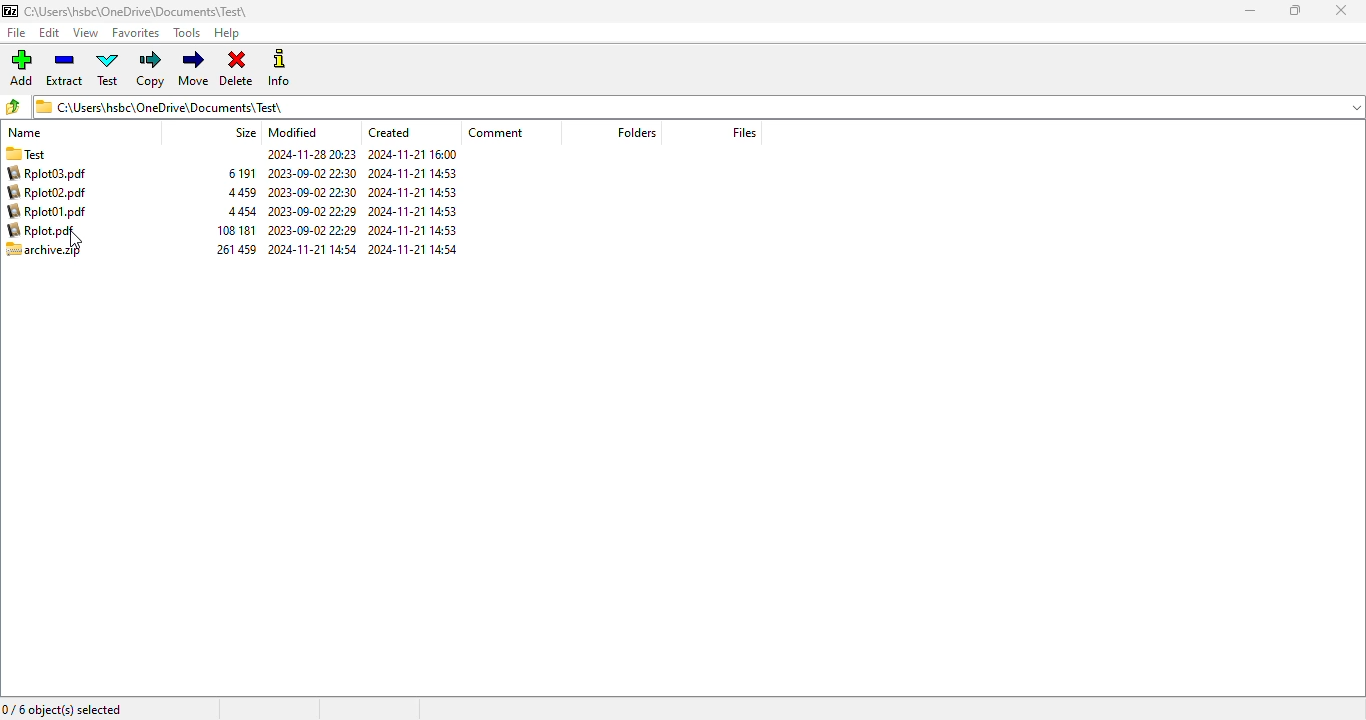 This screenshot has width=1366, height=720. I want to click on extract, so click(64, 68).